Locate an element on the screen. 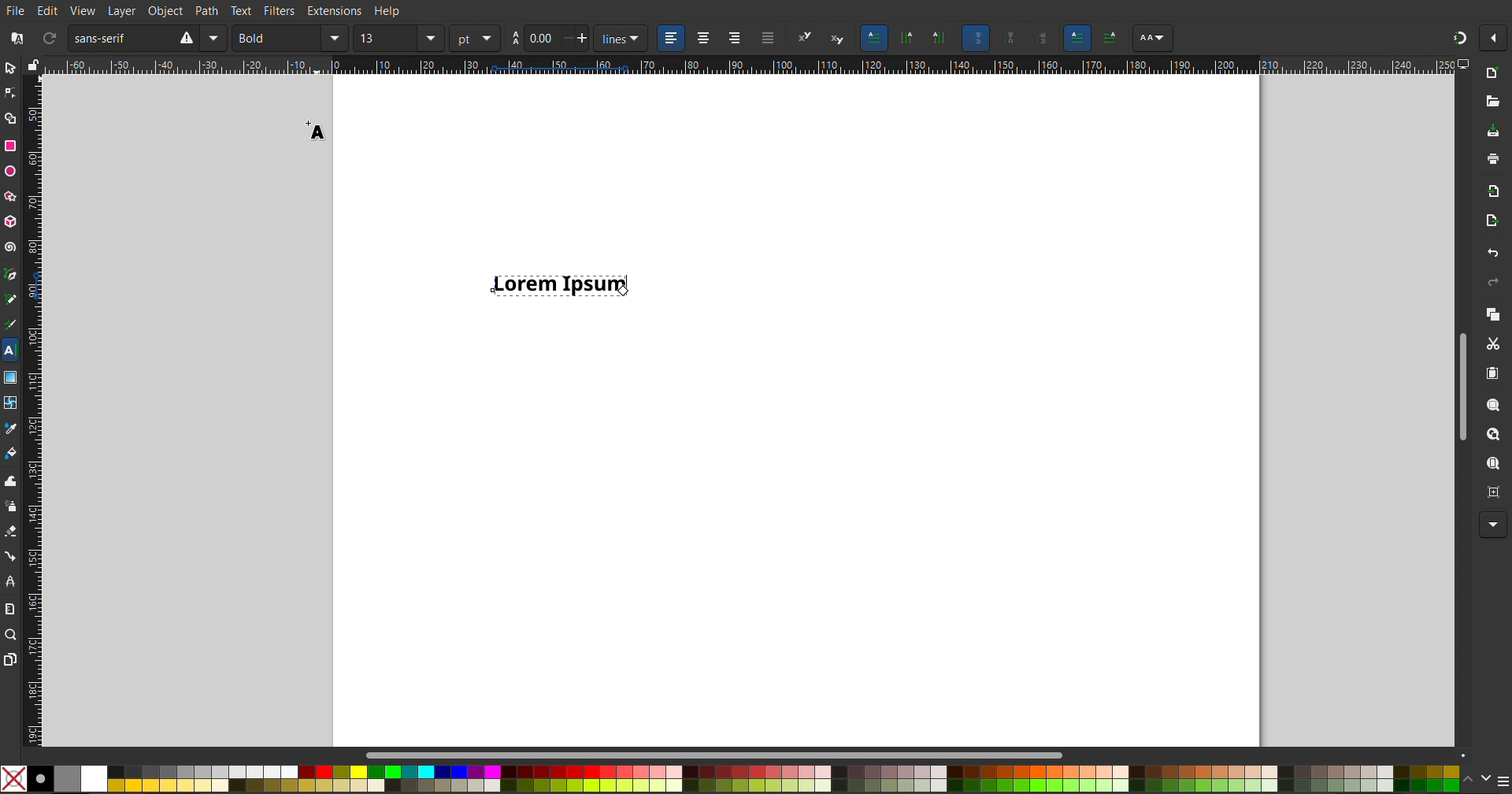 This screenshot has width=1512, height=794. Lorem Ipsum (bold) is located at coordinates (557, 284).